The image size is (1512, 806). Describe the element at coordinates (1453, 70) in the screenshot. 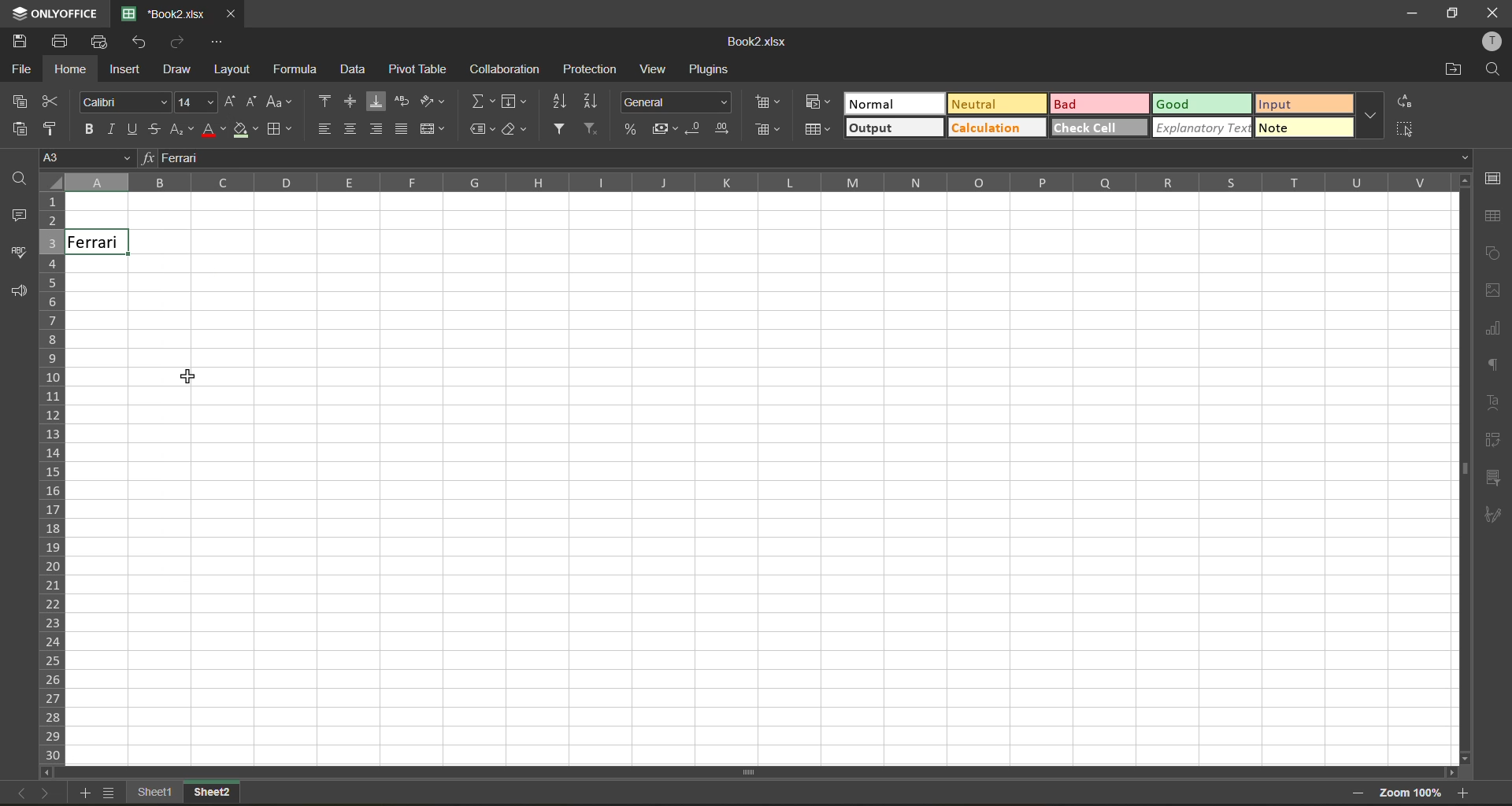

I see `open location` at that location.